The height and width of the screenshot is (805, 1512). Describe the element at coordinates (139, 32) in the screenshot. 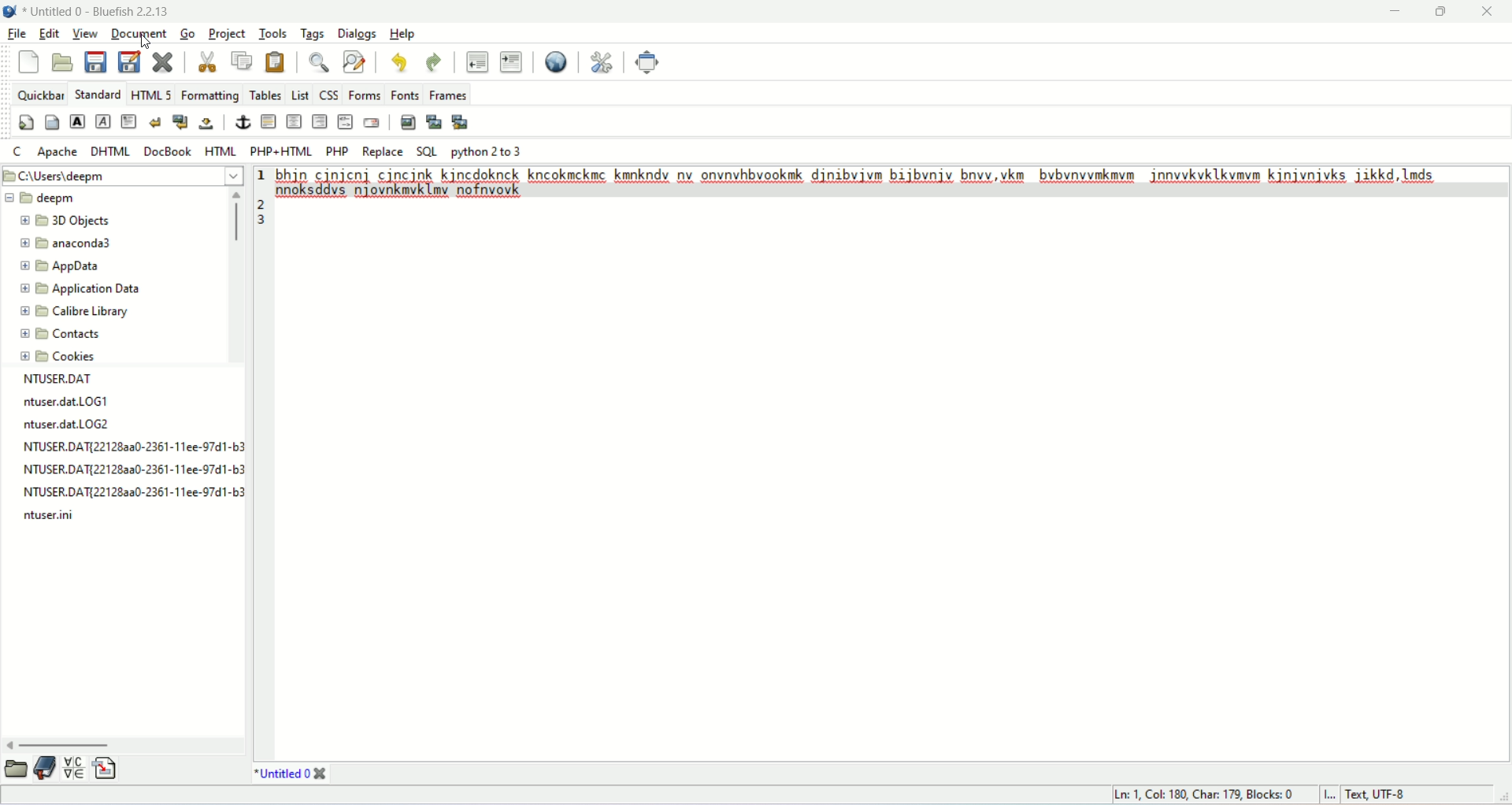

I see `document` at that location.